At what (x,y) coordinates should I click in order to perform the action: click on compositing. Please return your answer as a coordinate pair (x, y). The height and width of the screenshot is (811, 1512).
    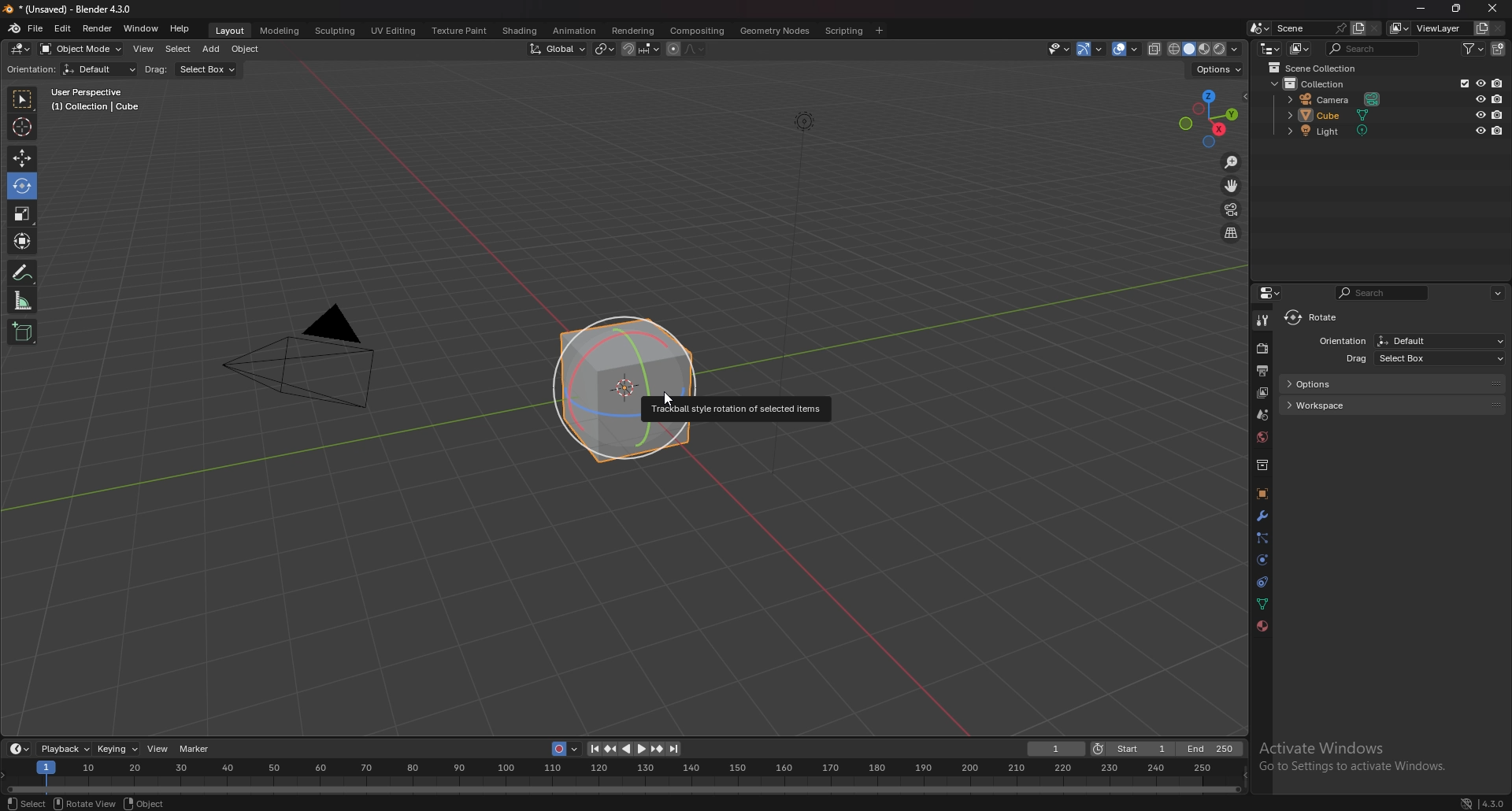
    Looking at the image, I should click on (699, 31).